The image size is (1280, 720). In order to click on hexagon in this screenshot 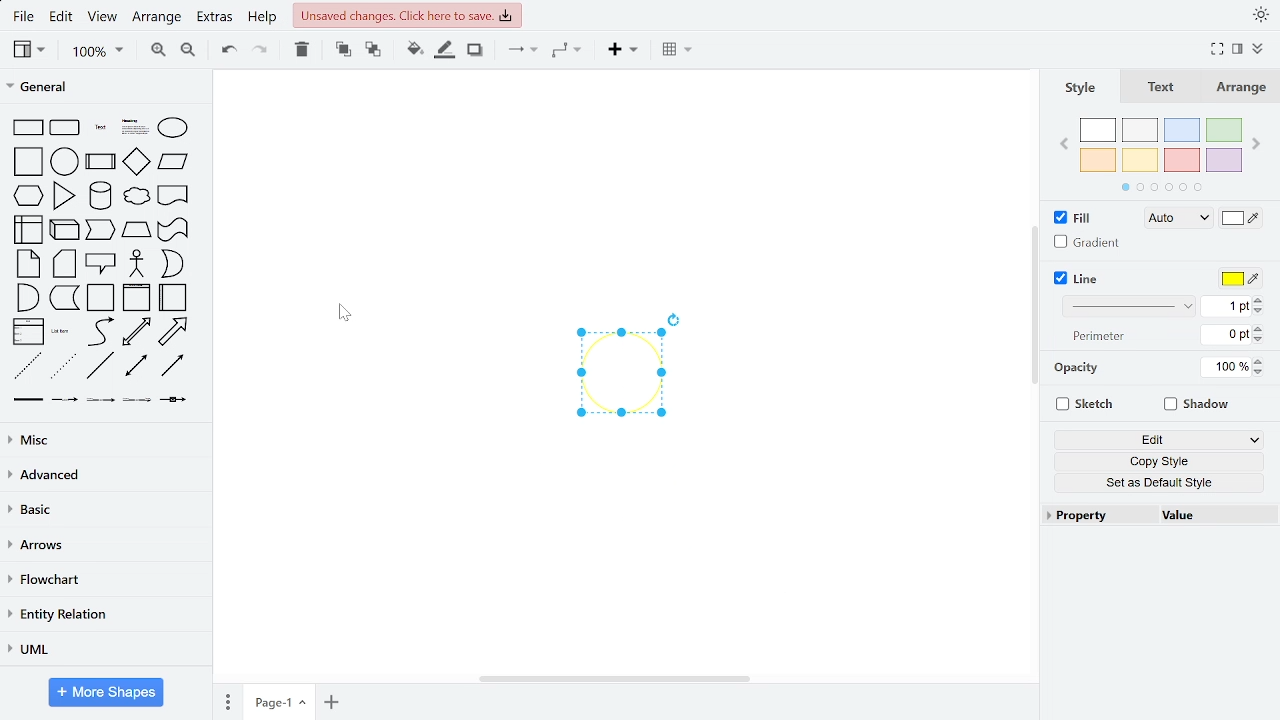, I will do `click(28, 196)`.